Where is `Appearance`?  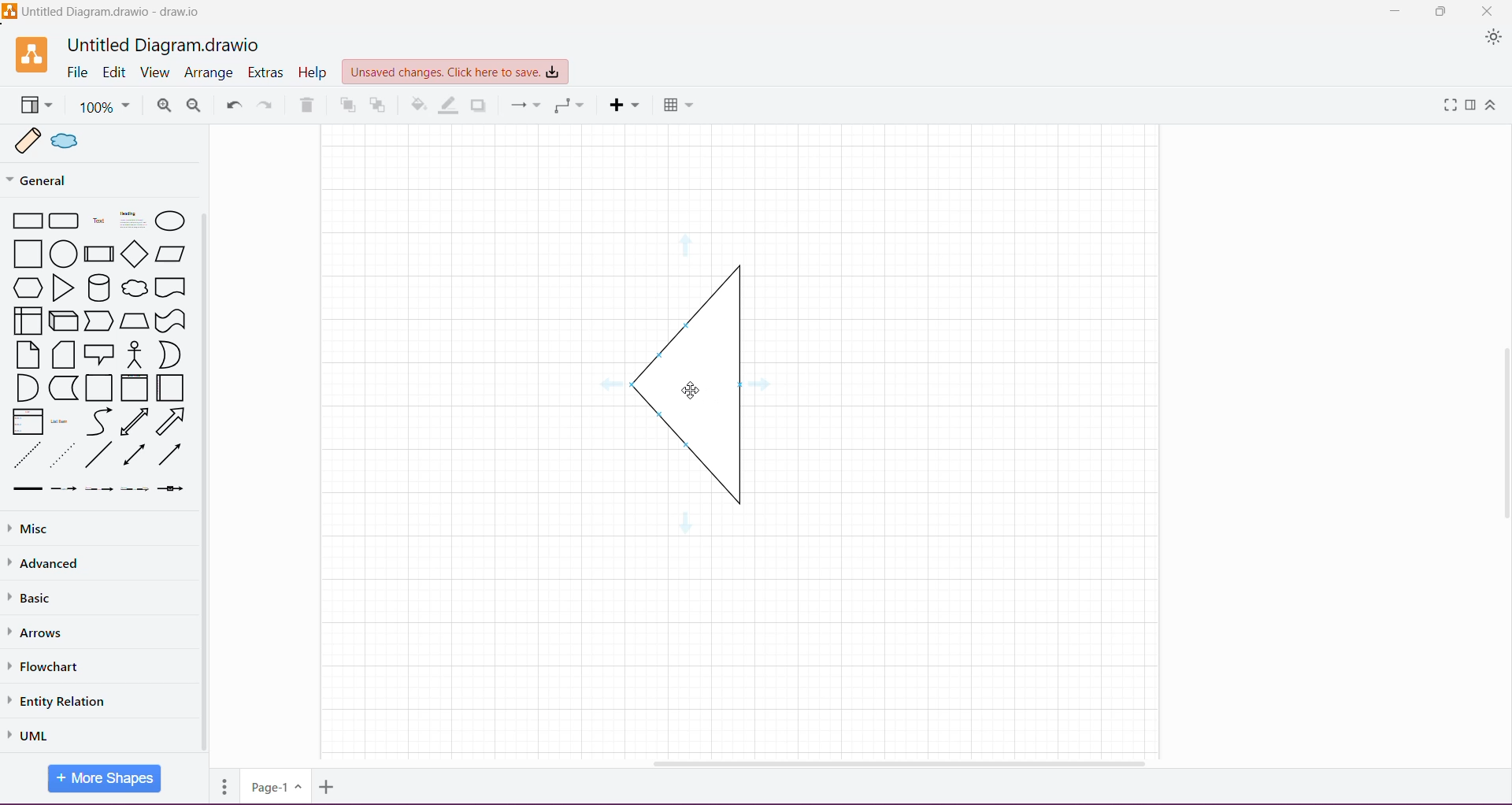 Appearance is located at coordinates (1493, 39).